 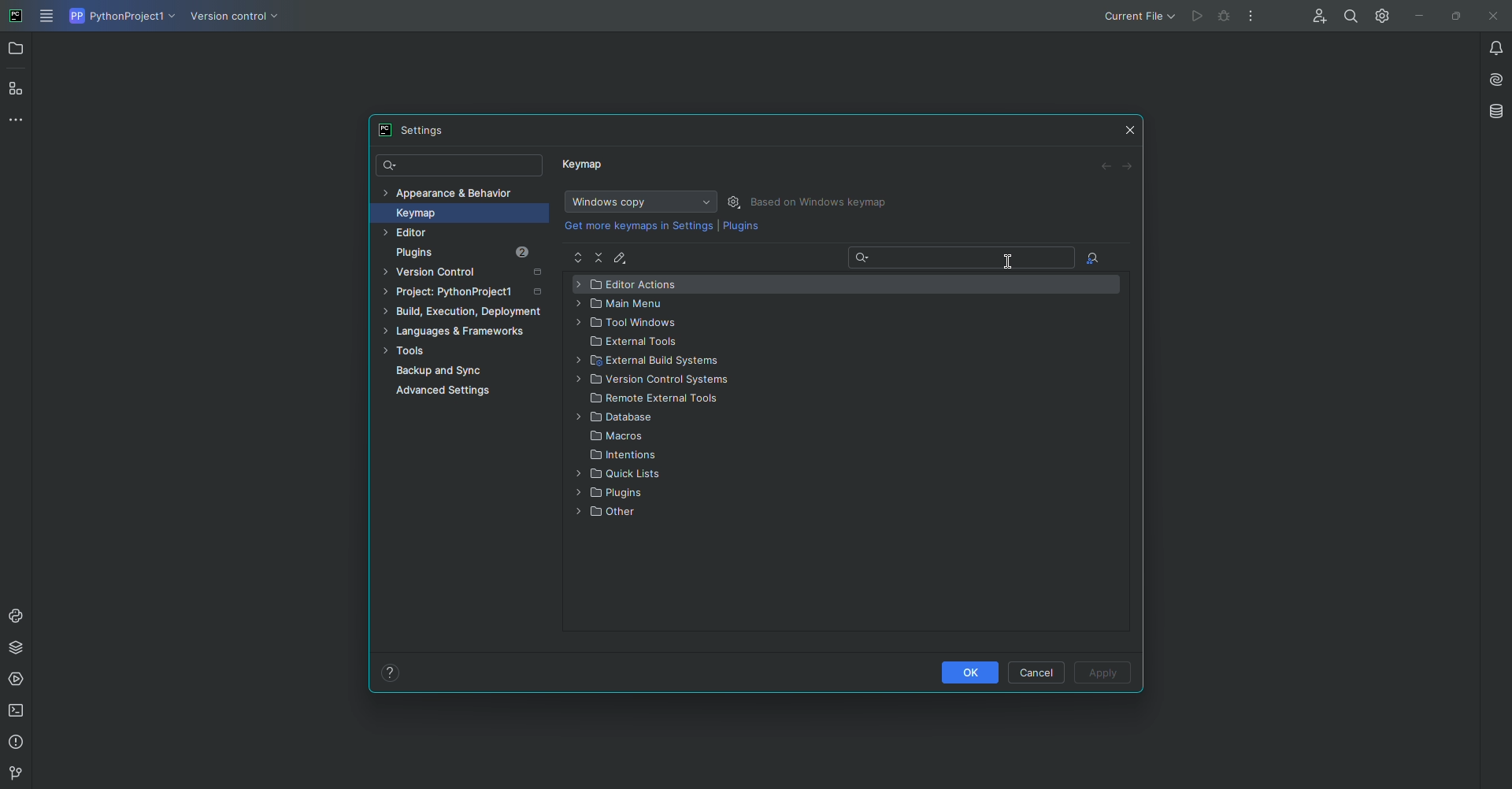 I want to click on Tools, so click(x=460, y=352).